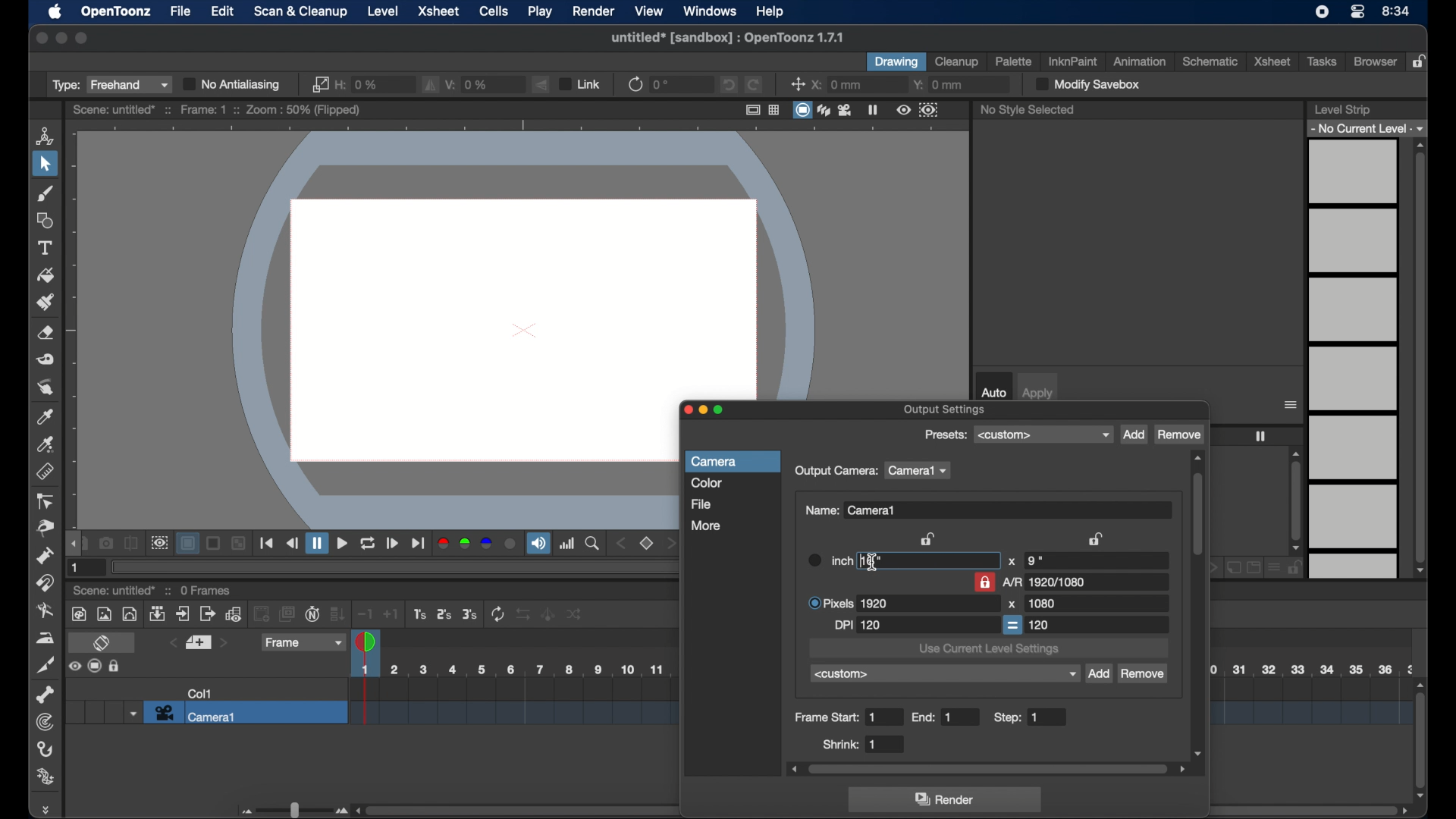 The width and height of the screenshot is (1456, 819). I want to click on remove, so click(1179, 435).